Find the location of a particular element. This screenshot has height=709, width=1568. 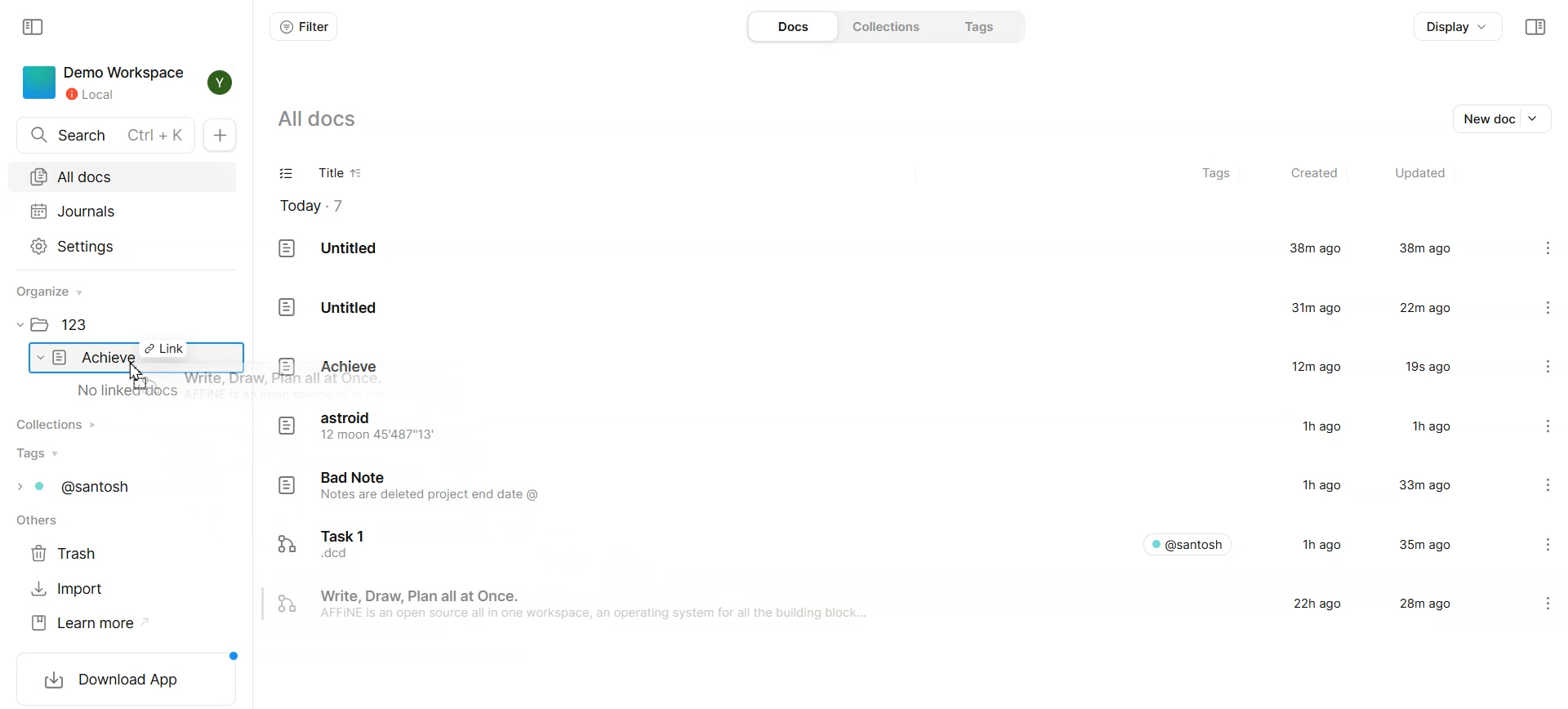

Settings is located at coordinates (1535, 427).